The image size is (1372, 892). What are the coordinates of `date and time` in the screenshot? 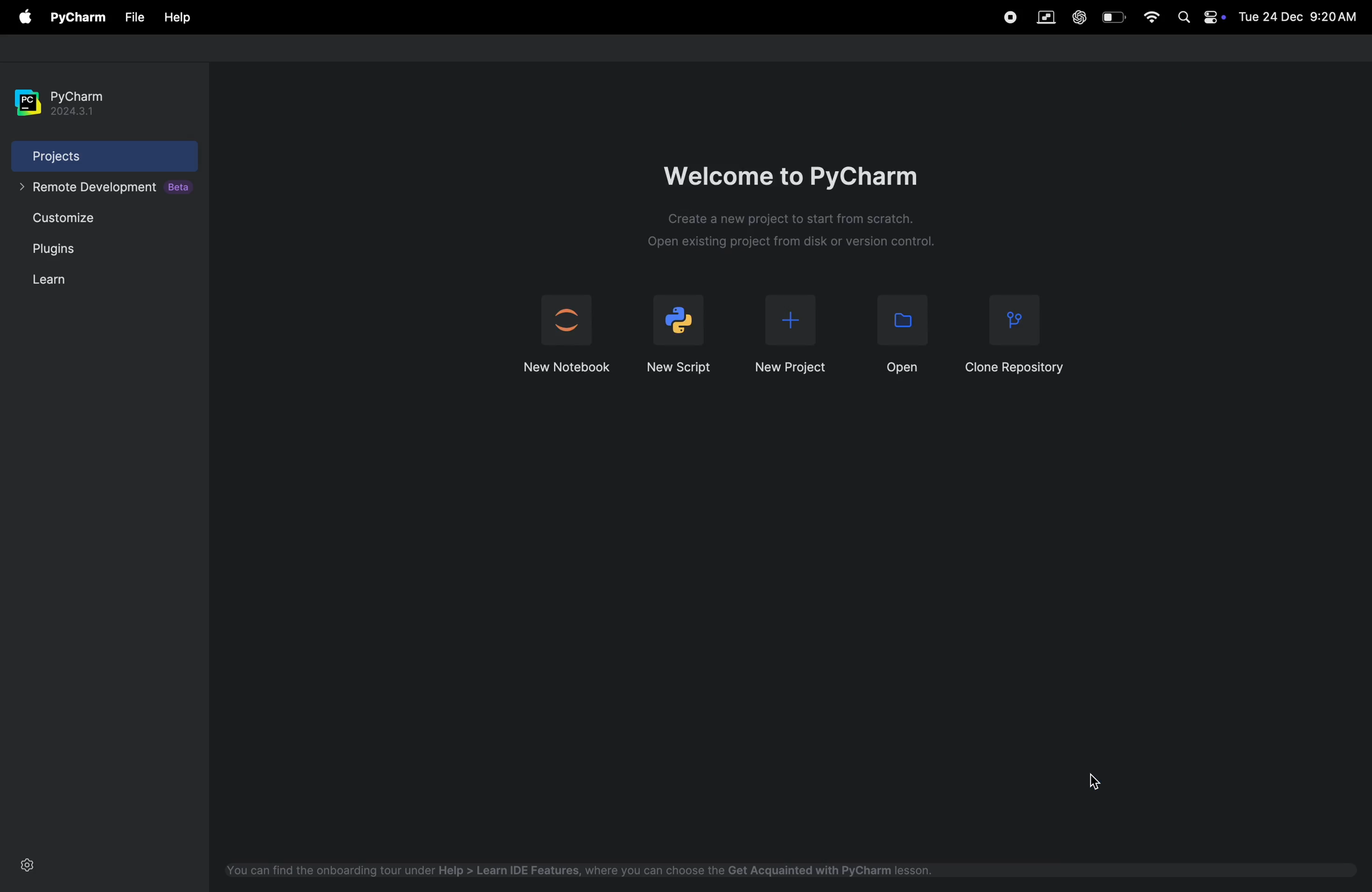 It's located at (1301, 16).